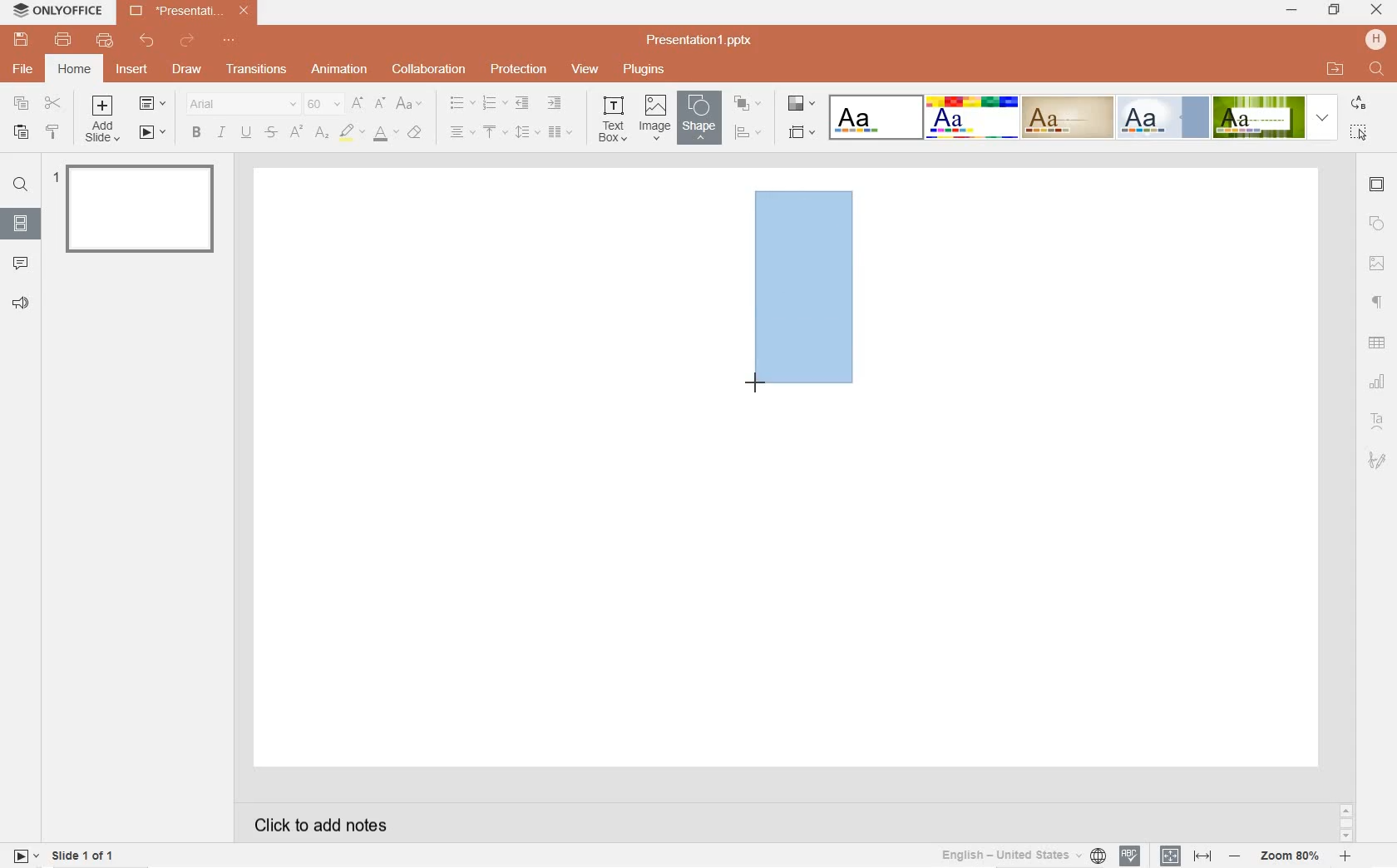 The height and width of the screenshot is (868, 1397). Describe the element at coordinates (381, 102) in the screenshot. I see `decrement font size` at that location.